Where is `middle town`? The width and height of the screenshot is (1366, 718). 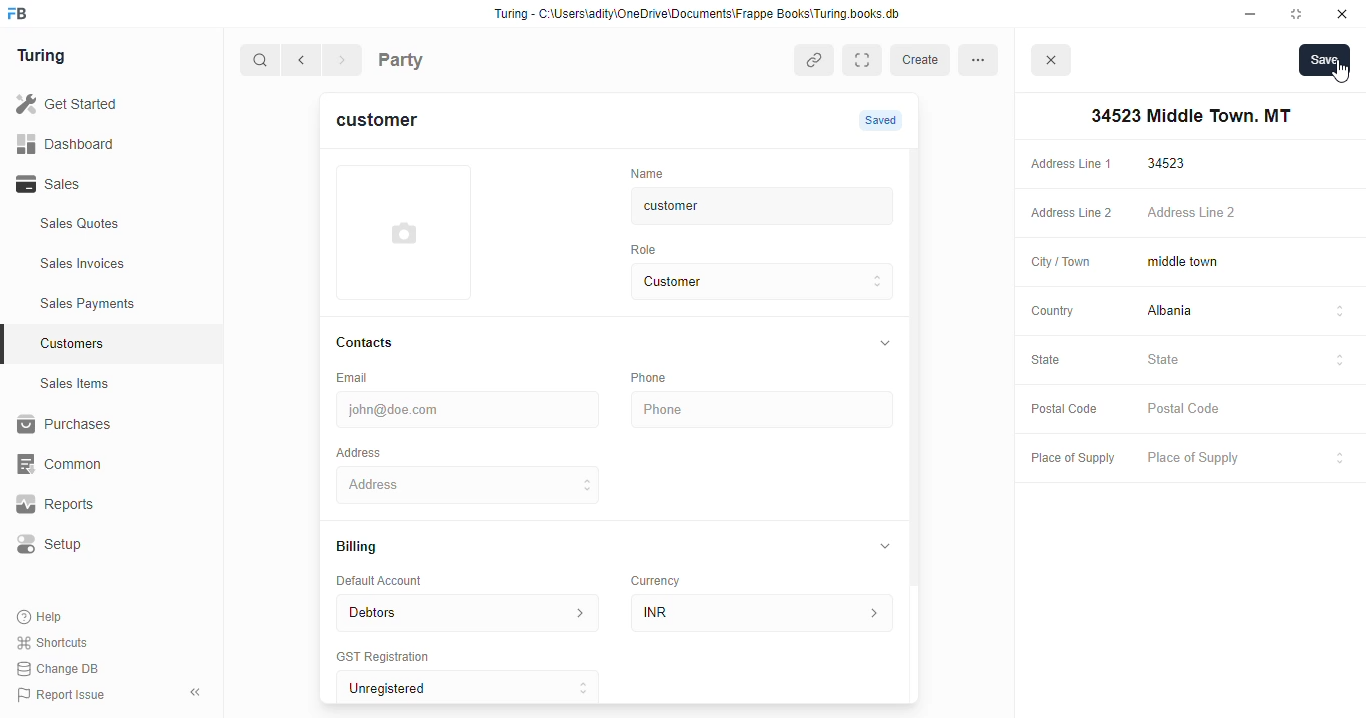
middle town is located at coordinates (1246, 263).